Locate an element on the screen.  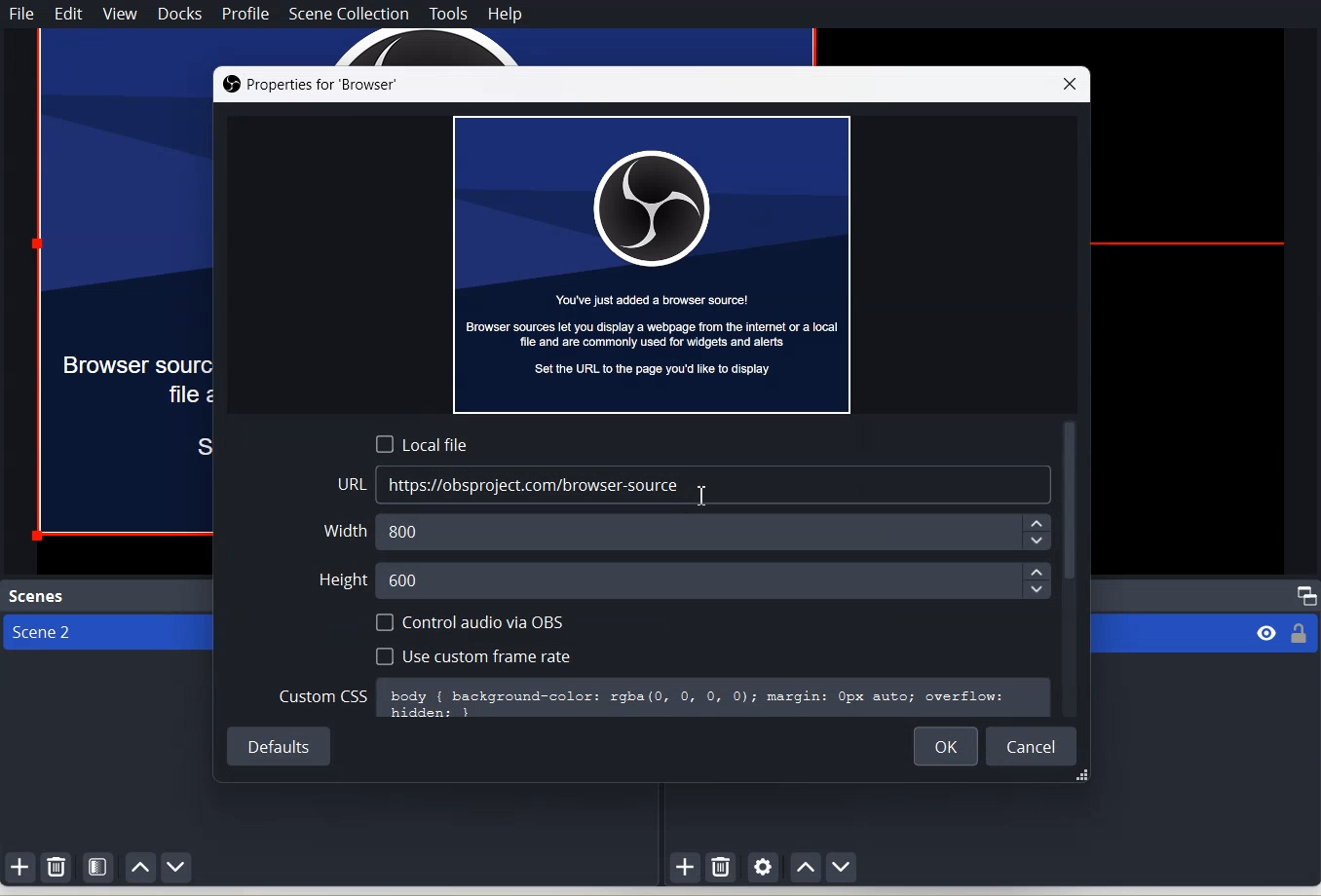
scenes is located at coordinates (39, 596).